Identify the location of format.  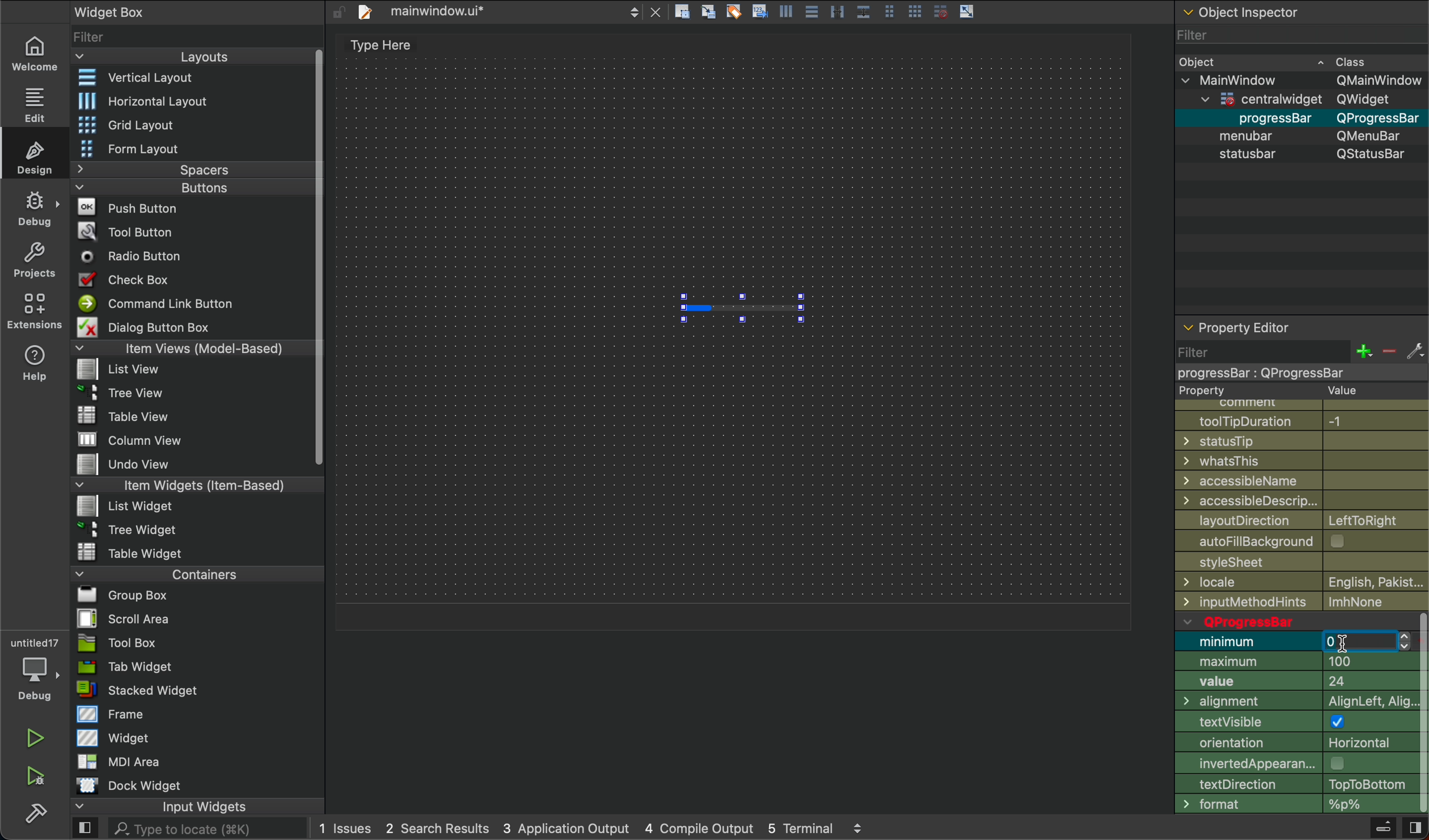
(1292, 805).